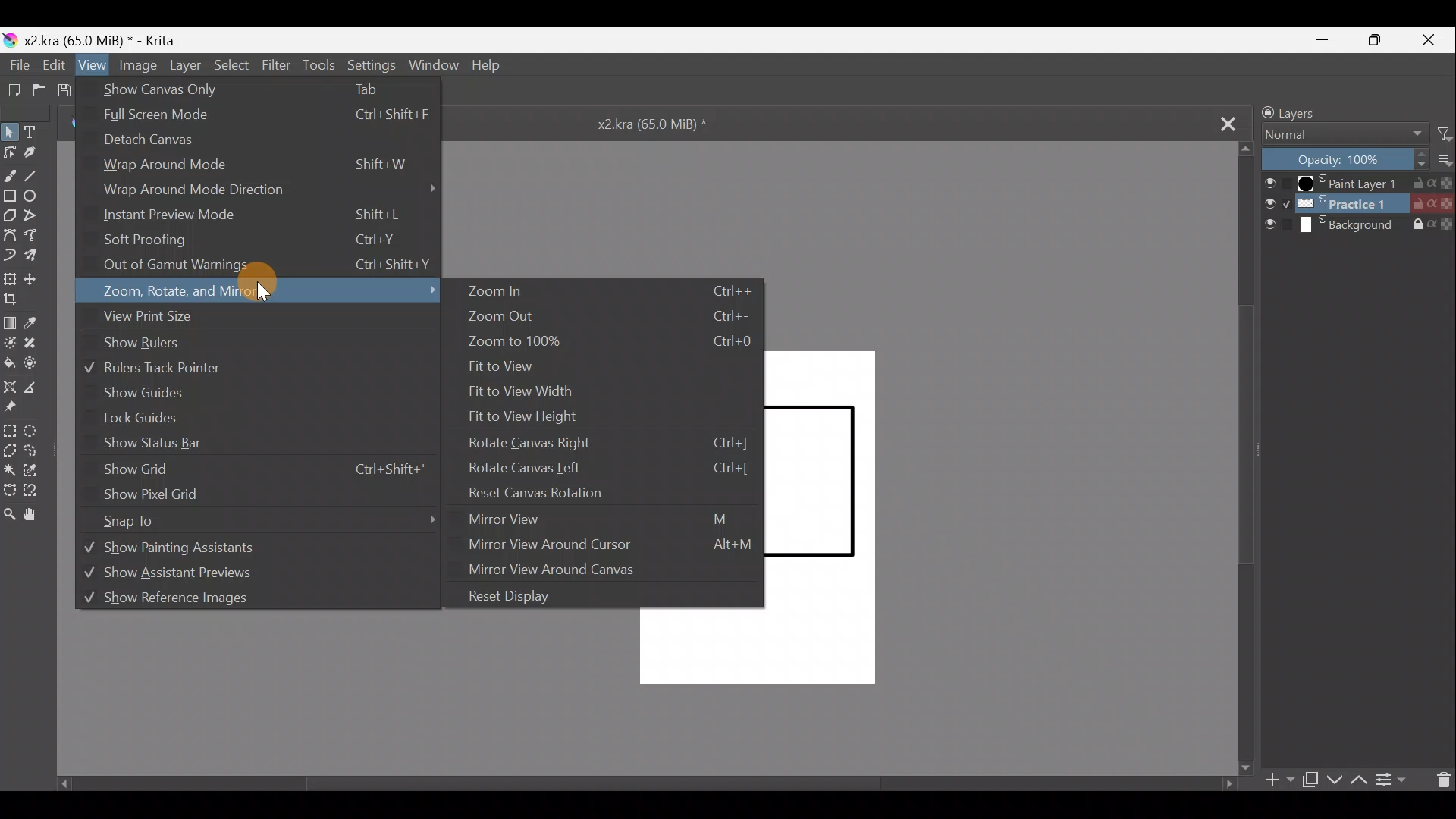 This screenshot has width=1456, height=819. I want to click on Background, so click(1359, 225).